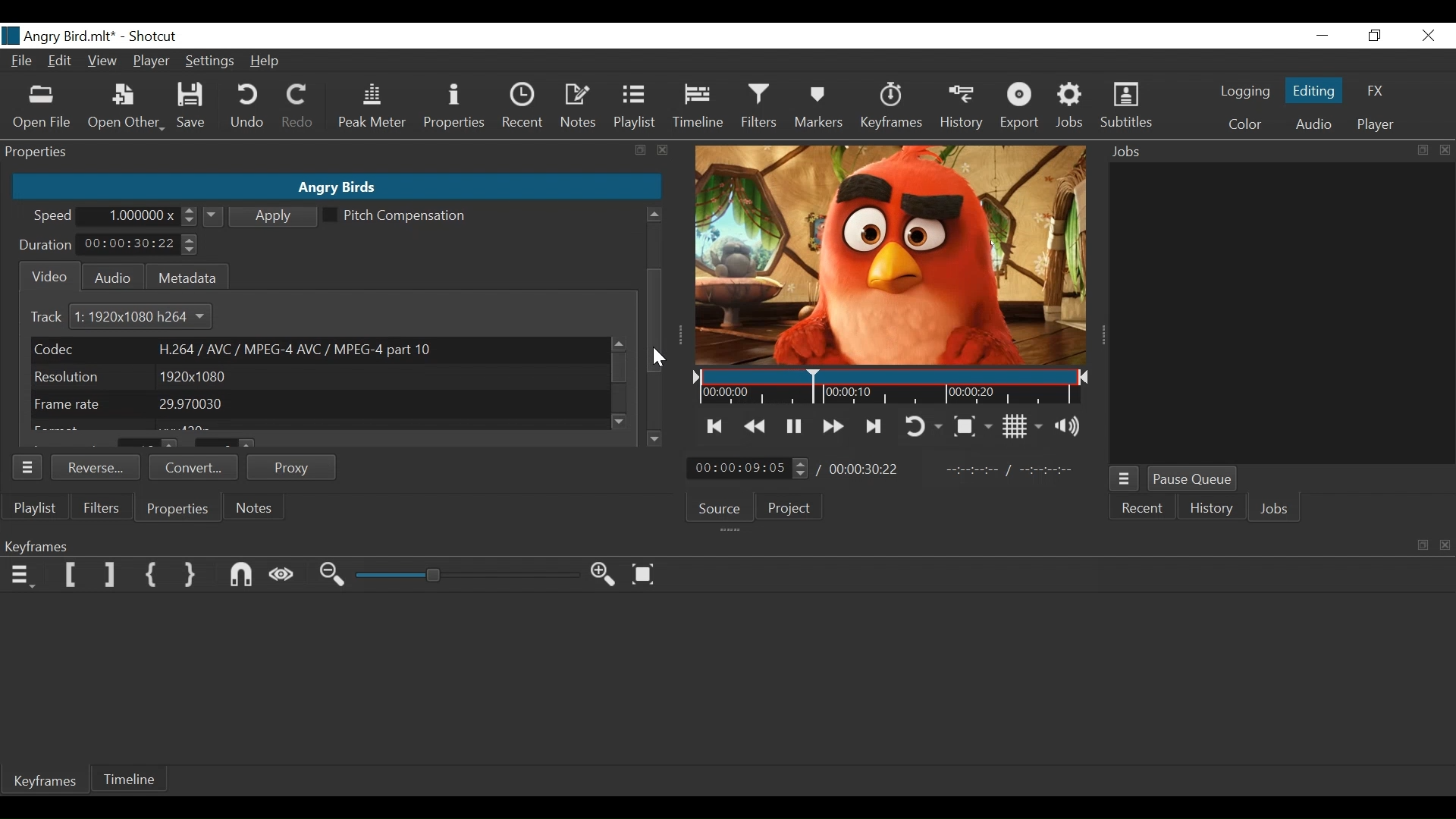 This screenshot has width=1456, height=819. What do you see at coordinates (316, 377) in the screenshot?
I see `Resolution` at bounding box center [316, 377].